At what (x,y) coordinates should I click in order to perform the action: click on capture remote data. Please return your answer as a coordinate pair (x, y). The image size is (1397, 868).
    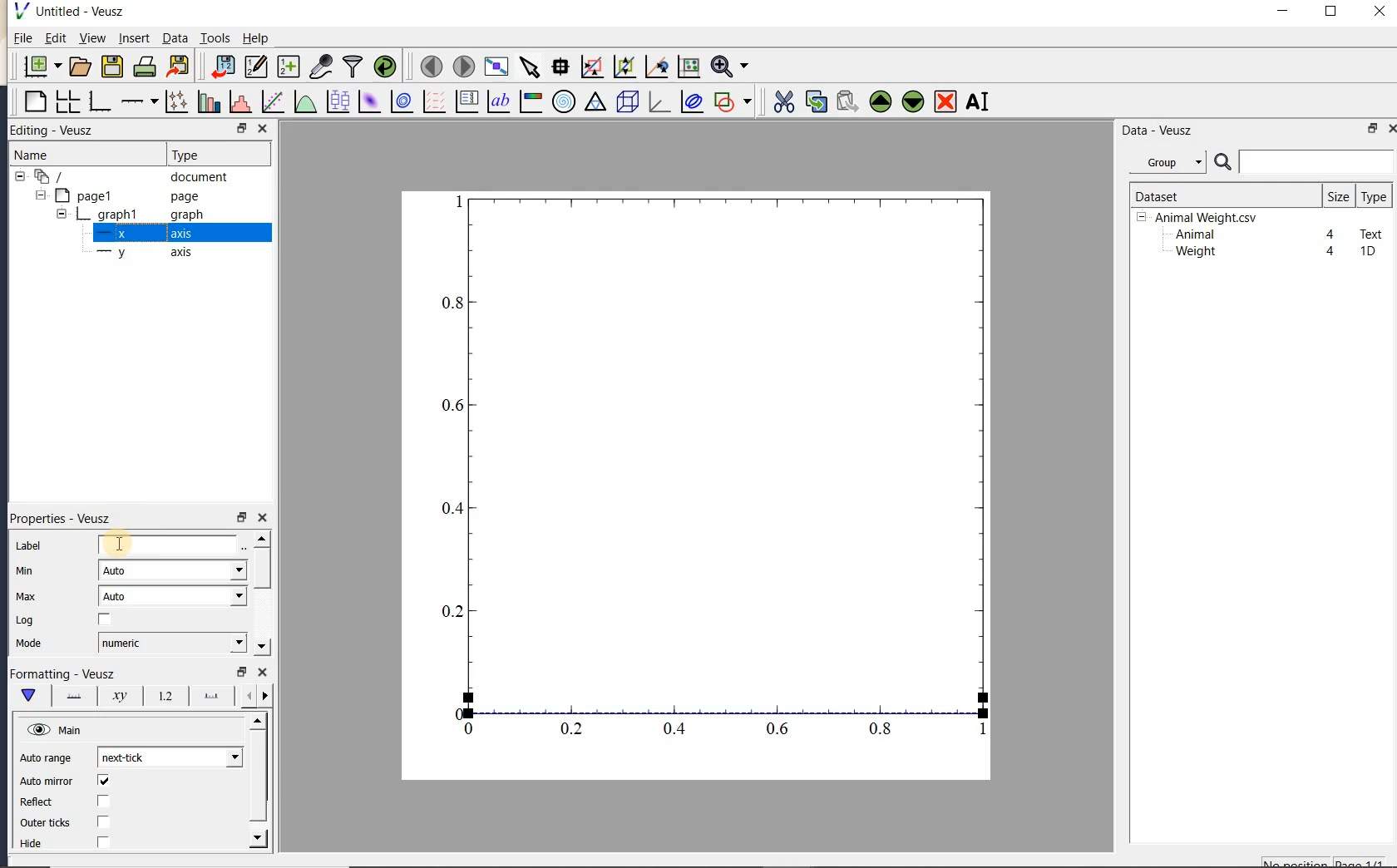
    Looking at the image, I should click on (321, 66).